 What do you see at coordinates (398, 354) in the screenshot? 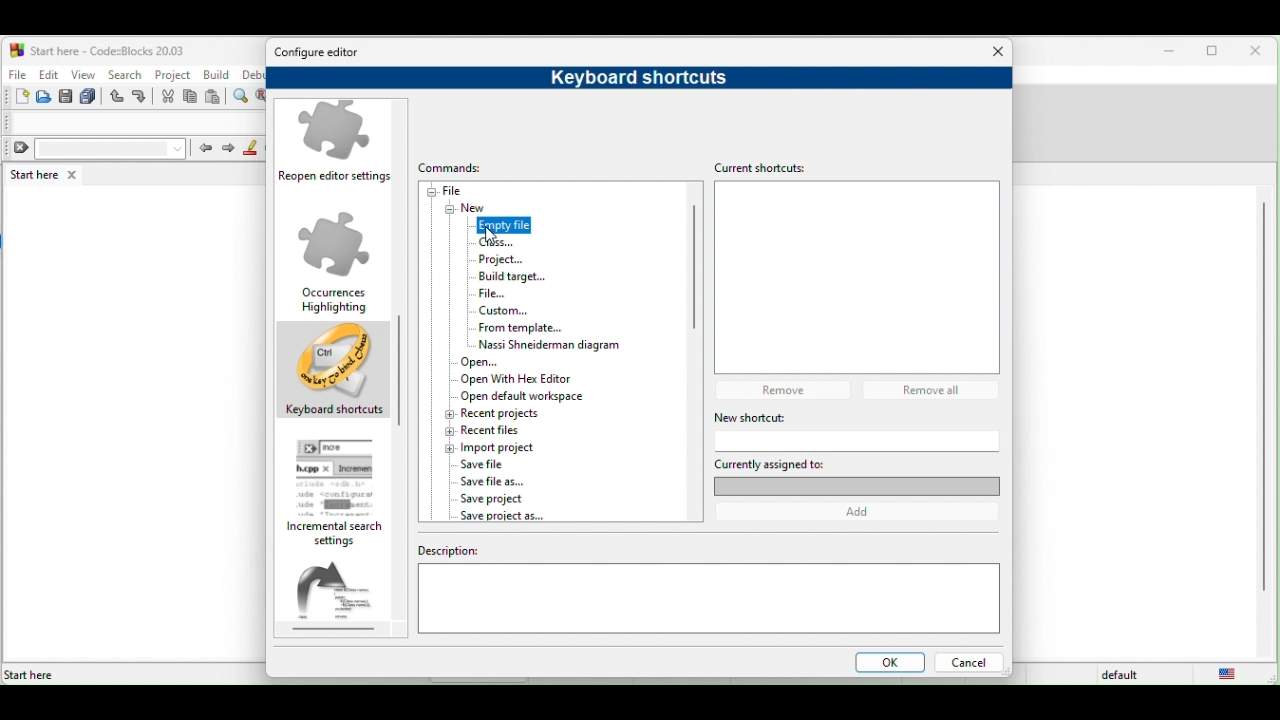
I see `scroll bar moved` at bounding box center [398, 354].